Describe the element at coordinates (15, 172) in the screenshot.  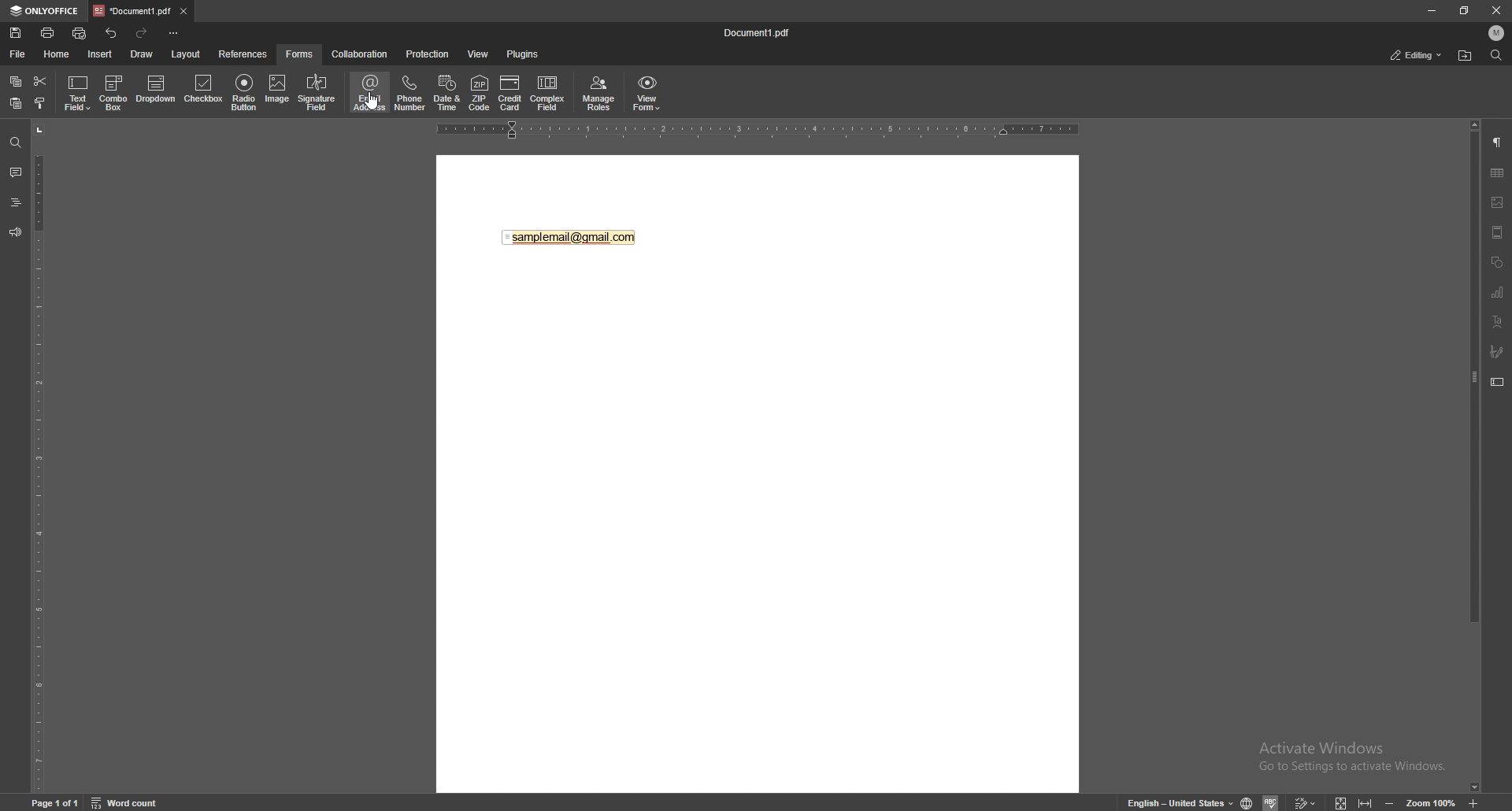
I see `comments` at that location.